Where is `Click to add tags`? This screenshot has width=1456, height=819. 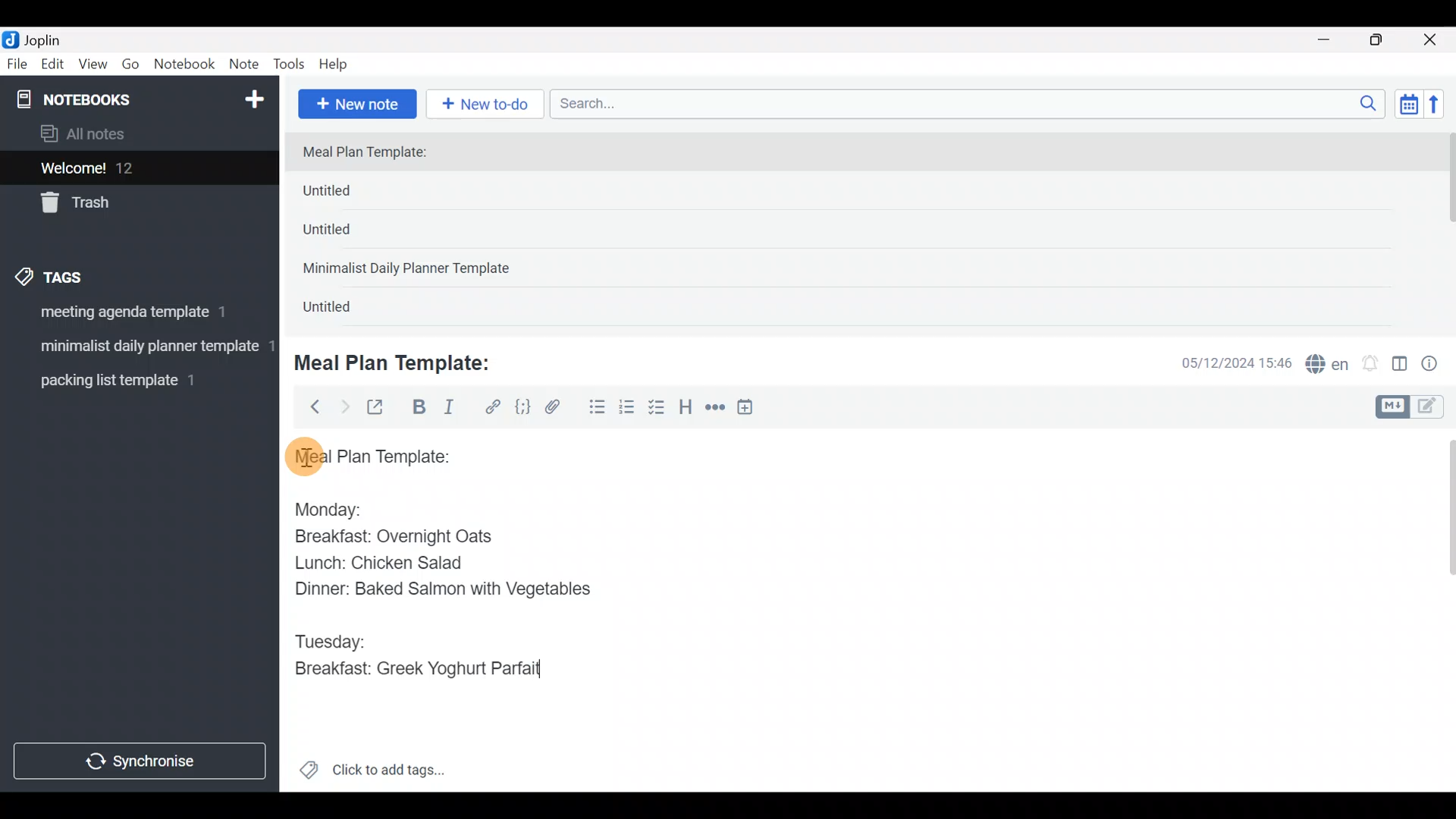
Click to add tags is located at coordinates (372, 775).